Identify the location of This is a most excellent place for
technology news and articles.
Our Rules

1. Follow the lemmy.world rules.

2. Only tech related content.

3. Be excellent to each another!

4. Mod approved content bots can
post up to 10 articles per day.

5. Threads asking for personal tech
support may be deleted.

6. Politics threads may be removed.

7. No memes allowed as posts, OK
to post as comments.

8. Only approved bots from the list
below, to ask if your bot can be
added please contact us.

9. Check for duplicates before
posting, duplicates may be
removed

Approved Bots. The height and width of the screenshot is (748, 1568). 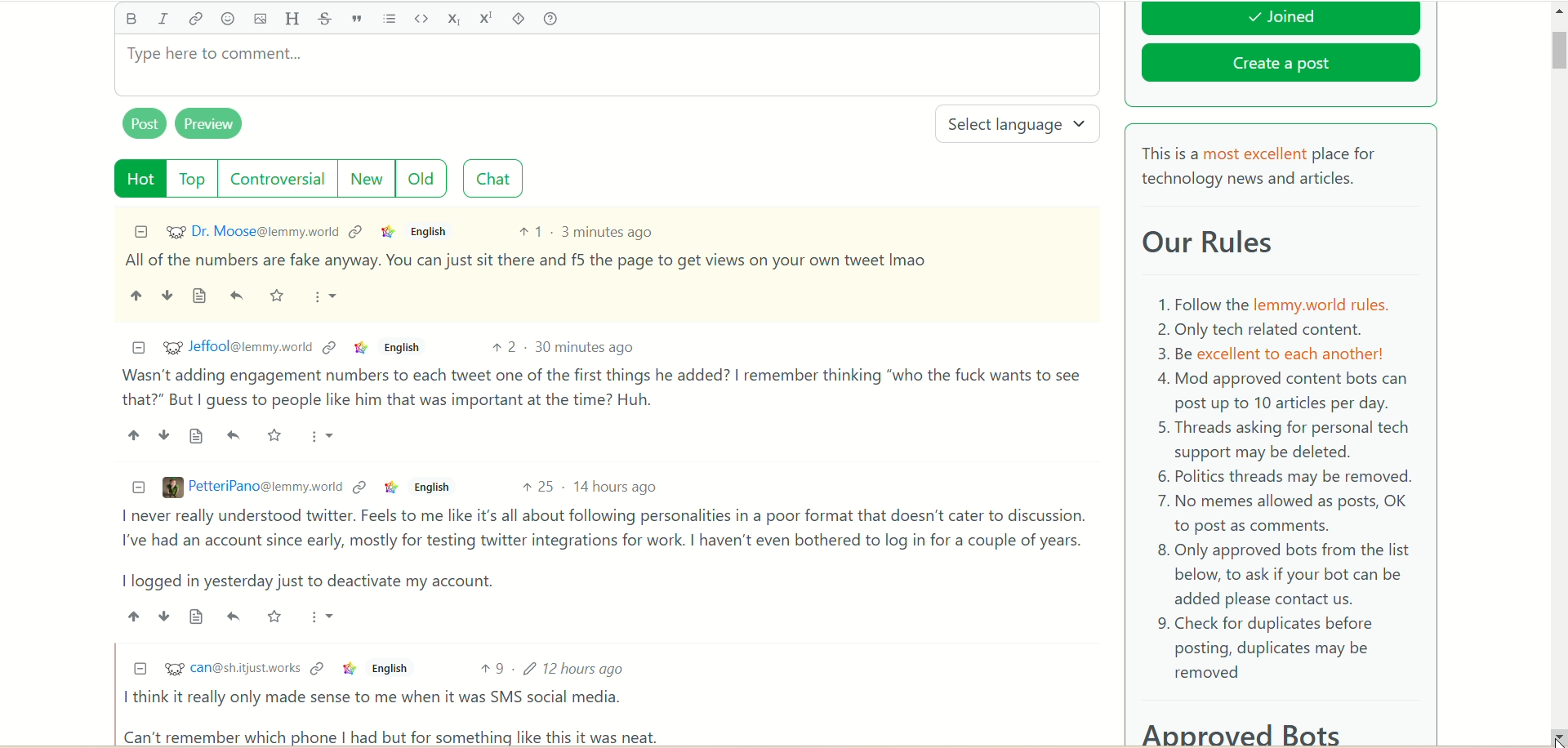
(1281, 440).